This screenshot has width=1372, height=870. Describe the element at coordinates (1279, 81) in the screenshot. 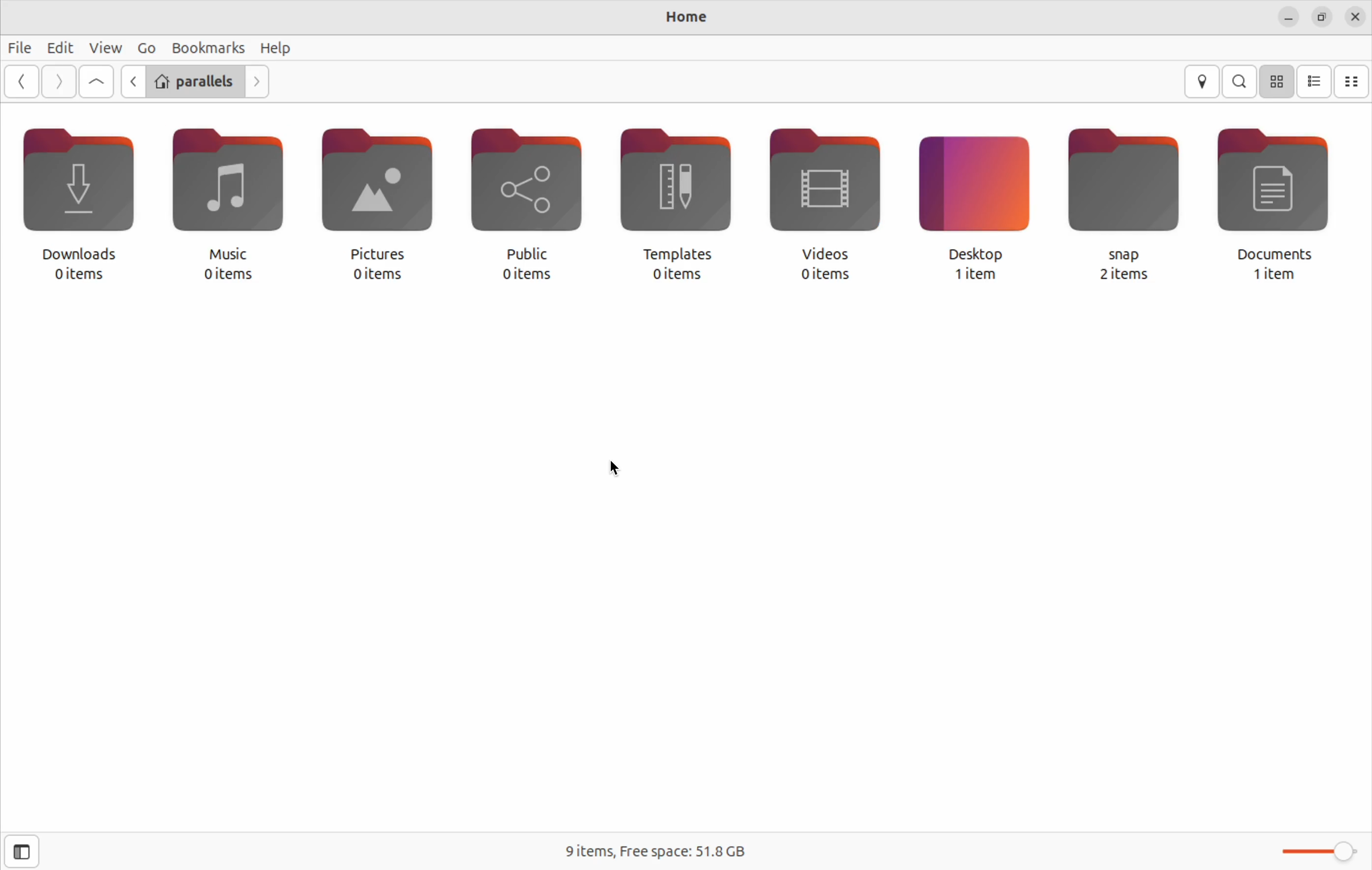

I see `icon view` at that location.